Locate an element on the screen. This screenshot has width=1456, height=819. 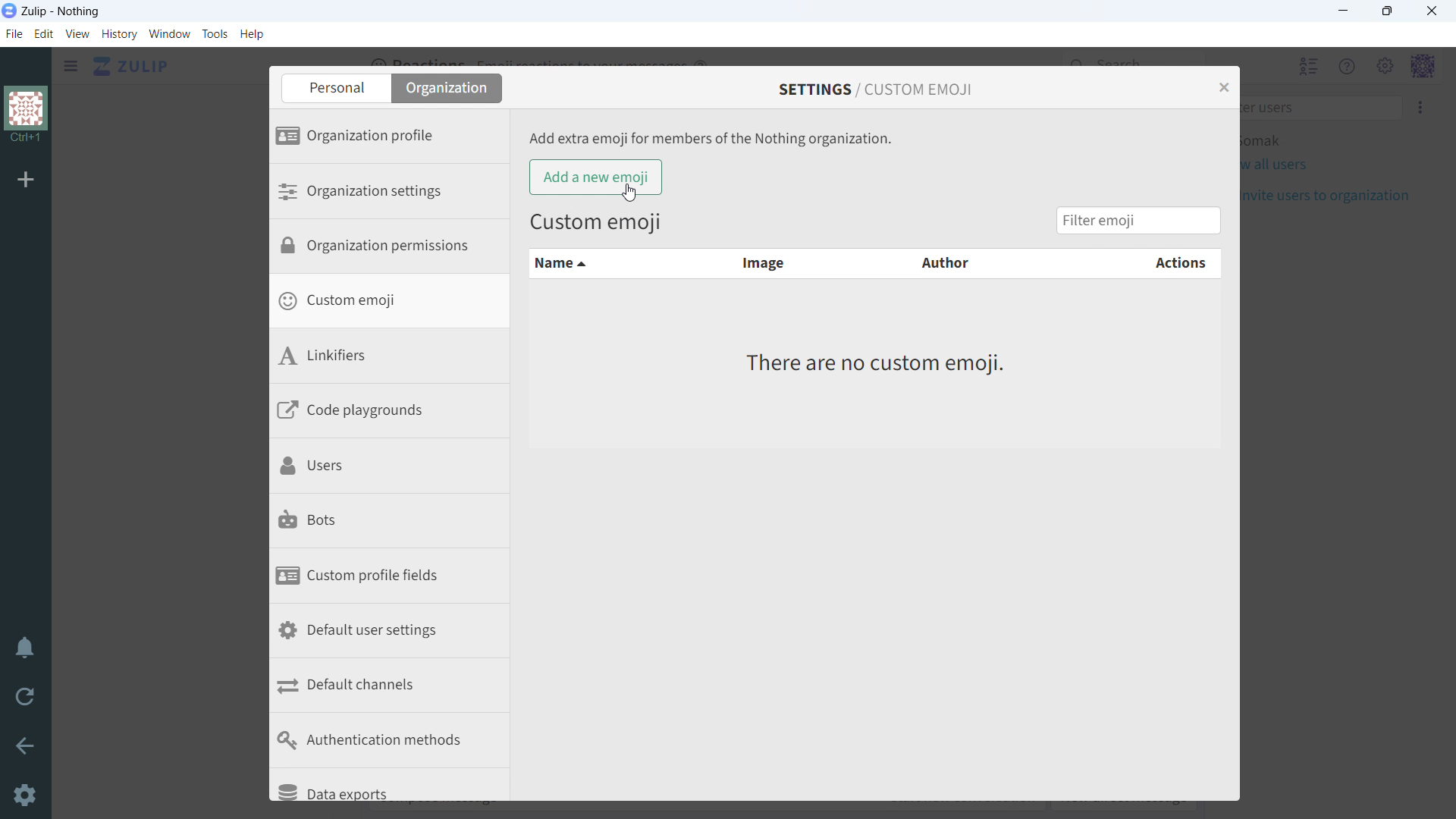
go to home view is located at coordinates (131, 67).